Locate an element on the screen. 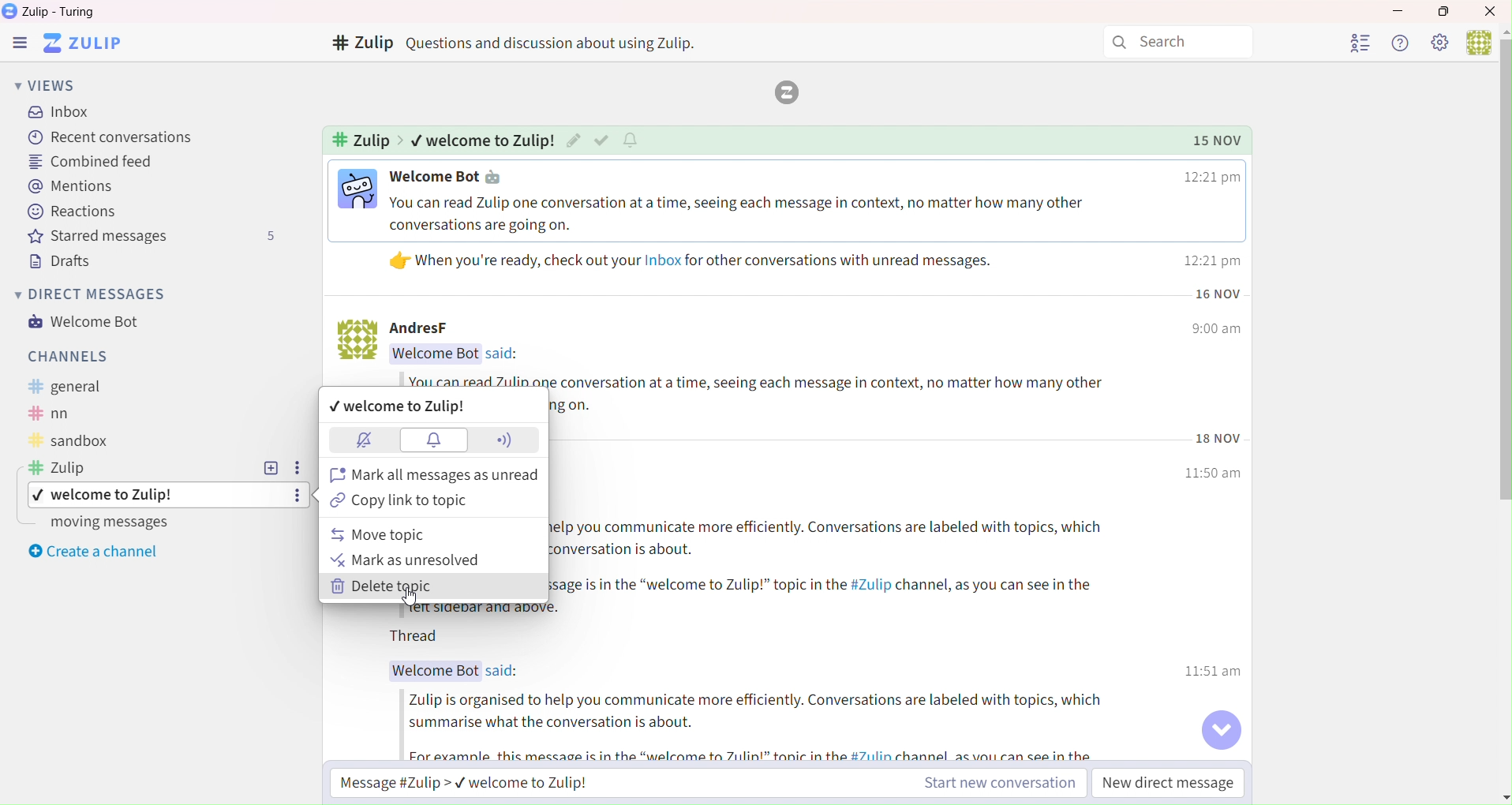 The image size is (1512, 805). Text is located at coordinates (694, 260).